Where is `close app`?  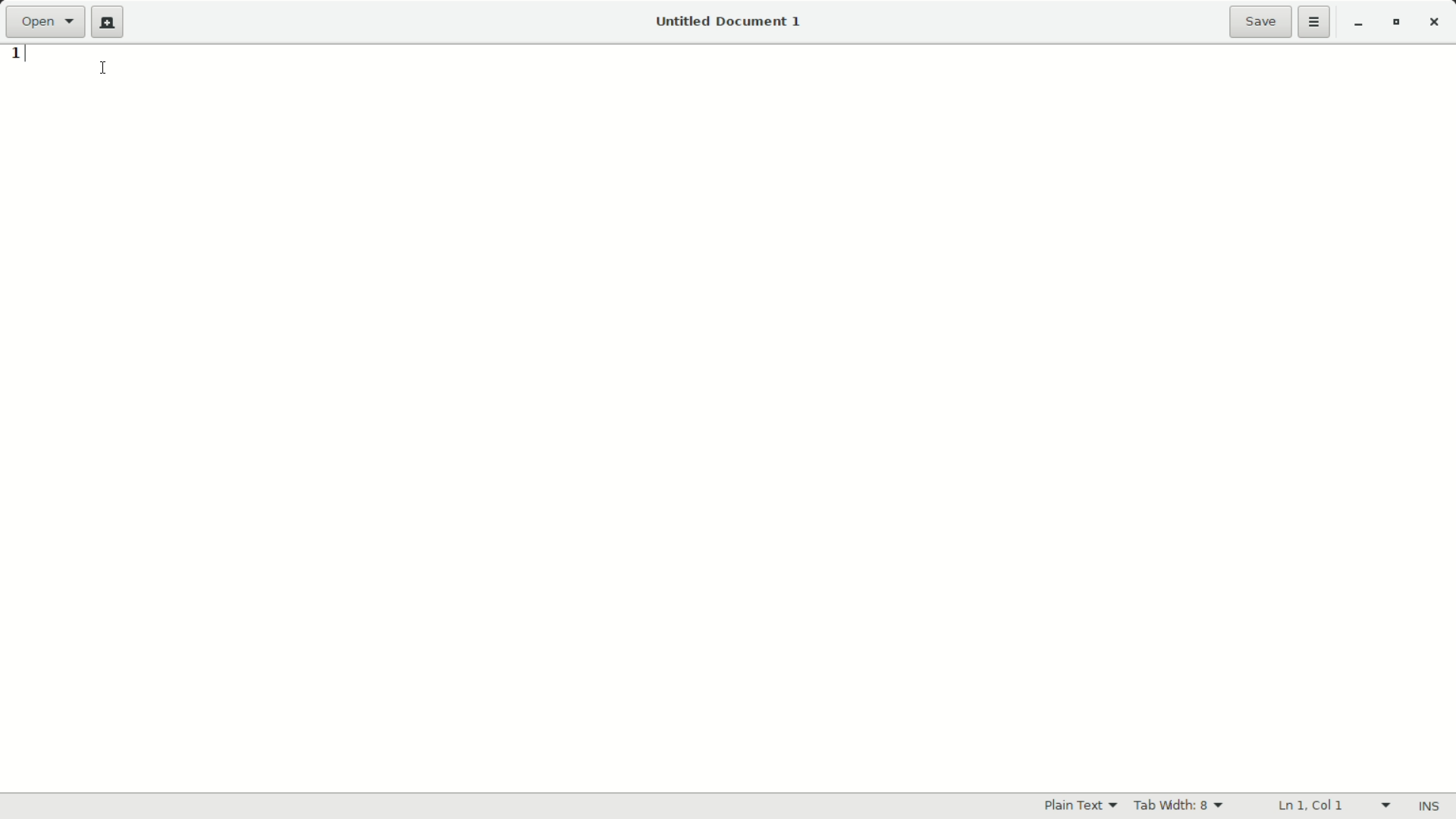 close app is located at coordinates (1439, 23).